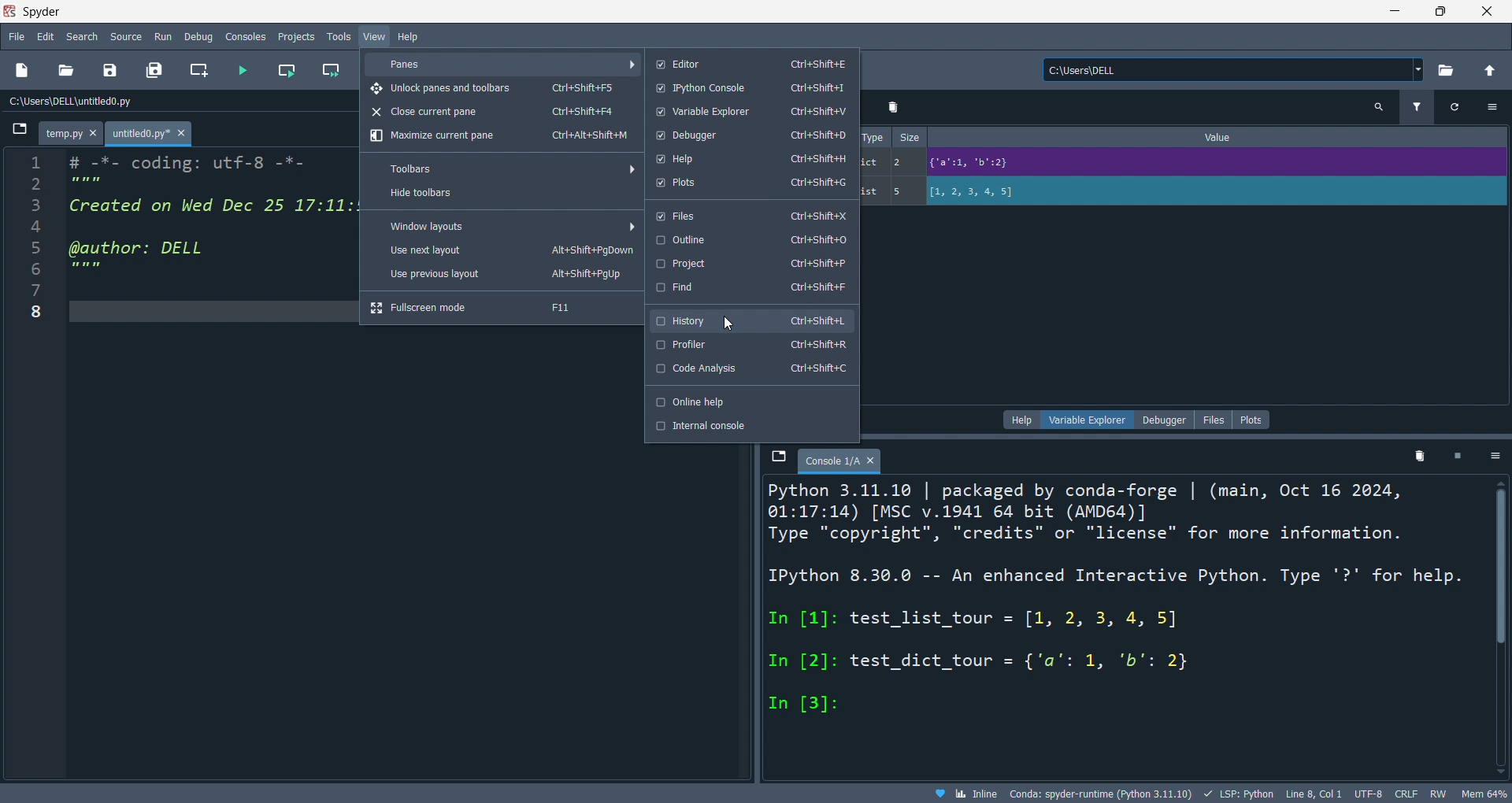 Image resolution: width=1512 pixels, height=803 pixels. Describe the element at coordinates (751, 370) in the screenshot. I see `code analysis` at that location.